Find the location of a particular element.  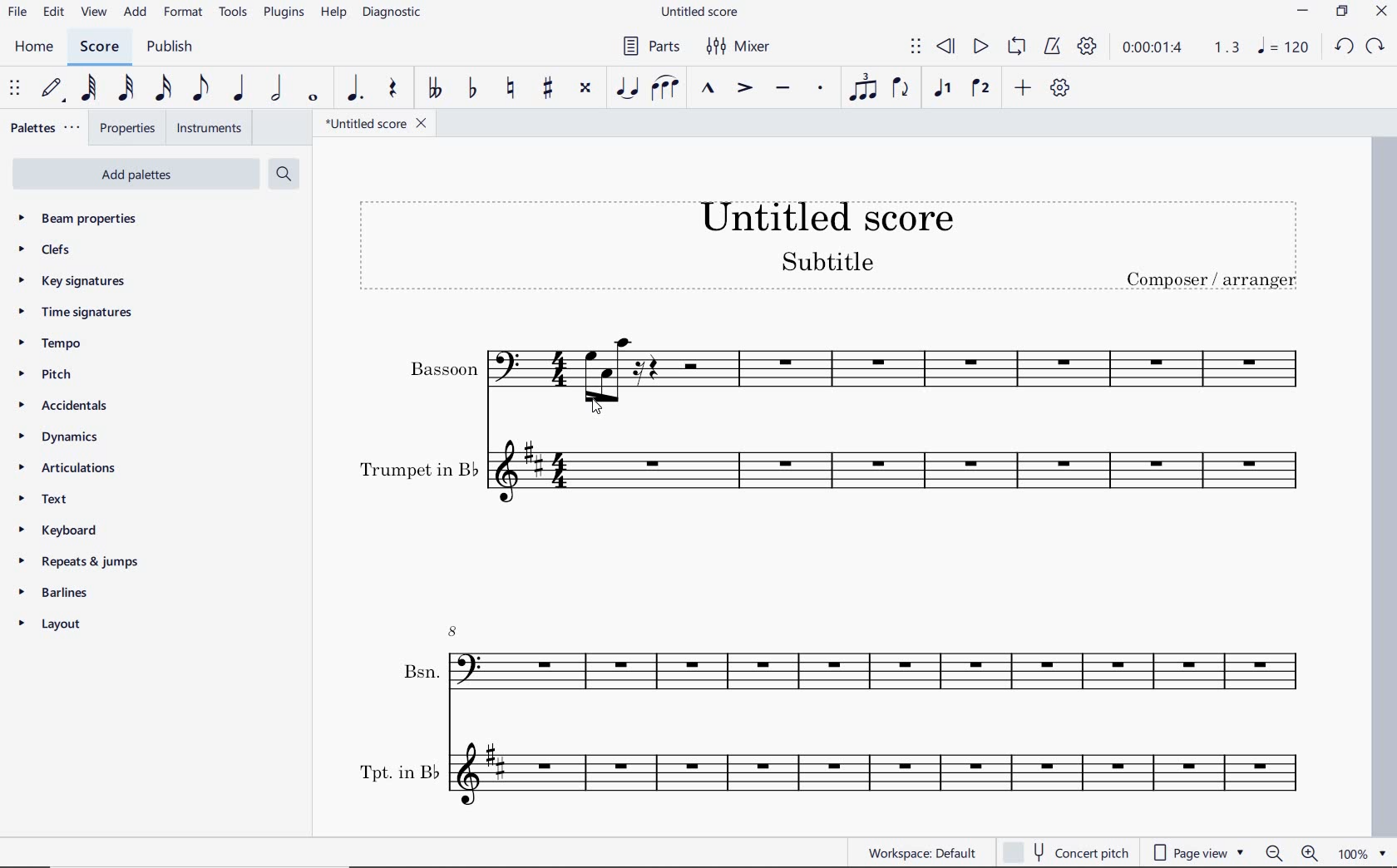

time signatures is located at coordinates (72, 313).